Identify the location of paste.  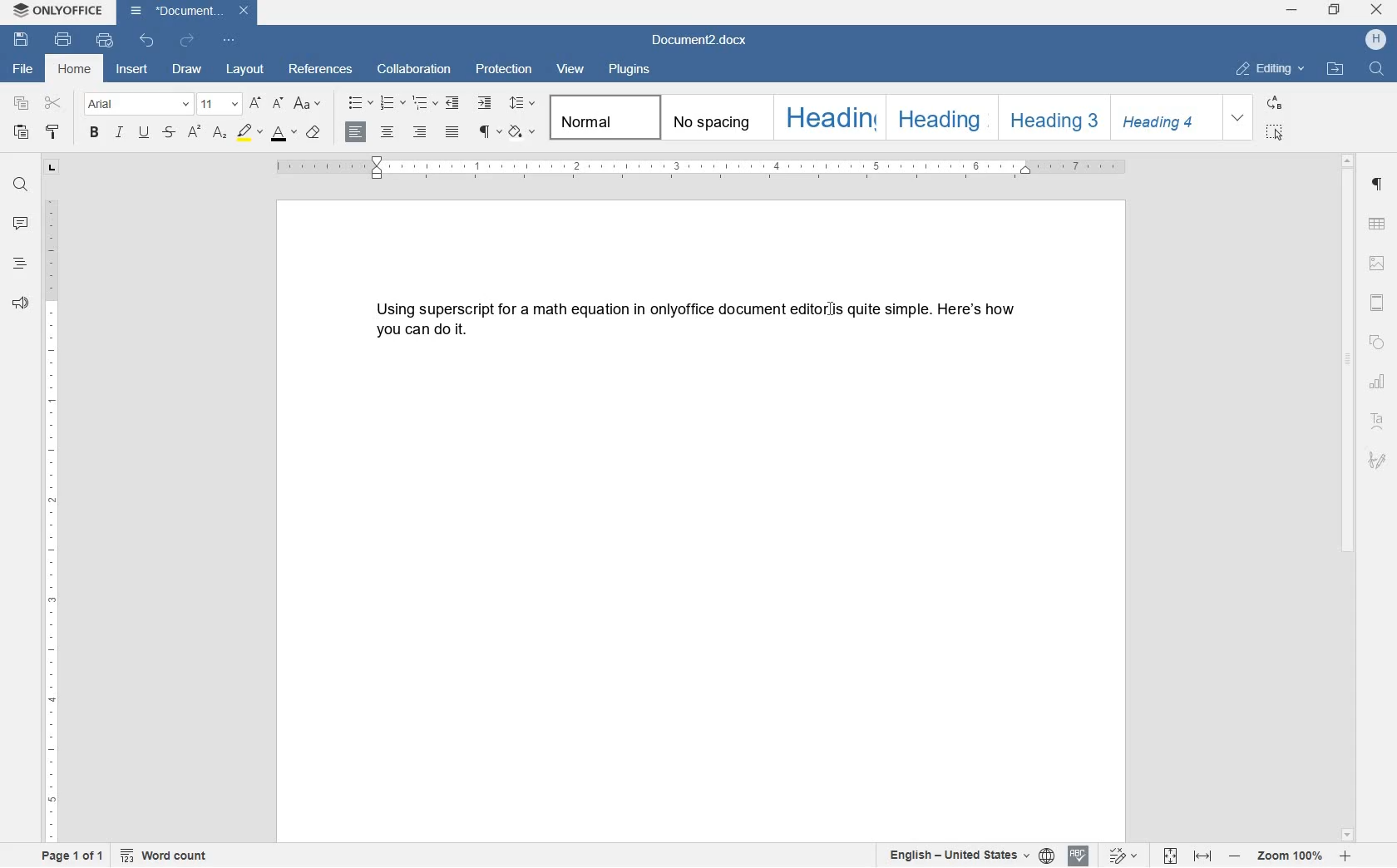
(21, 133).